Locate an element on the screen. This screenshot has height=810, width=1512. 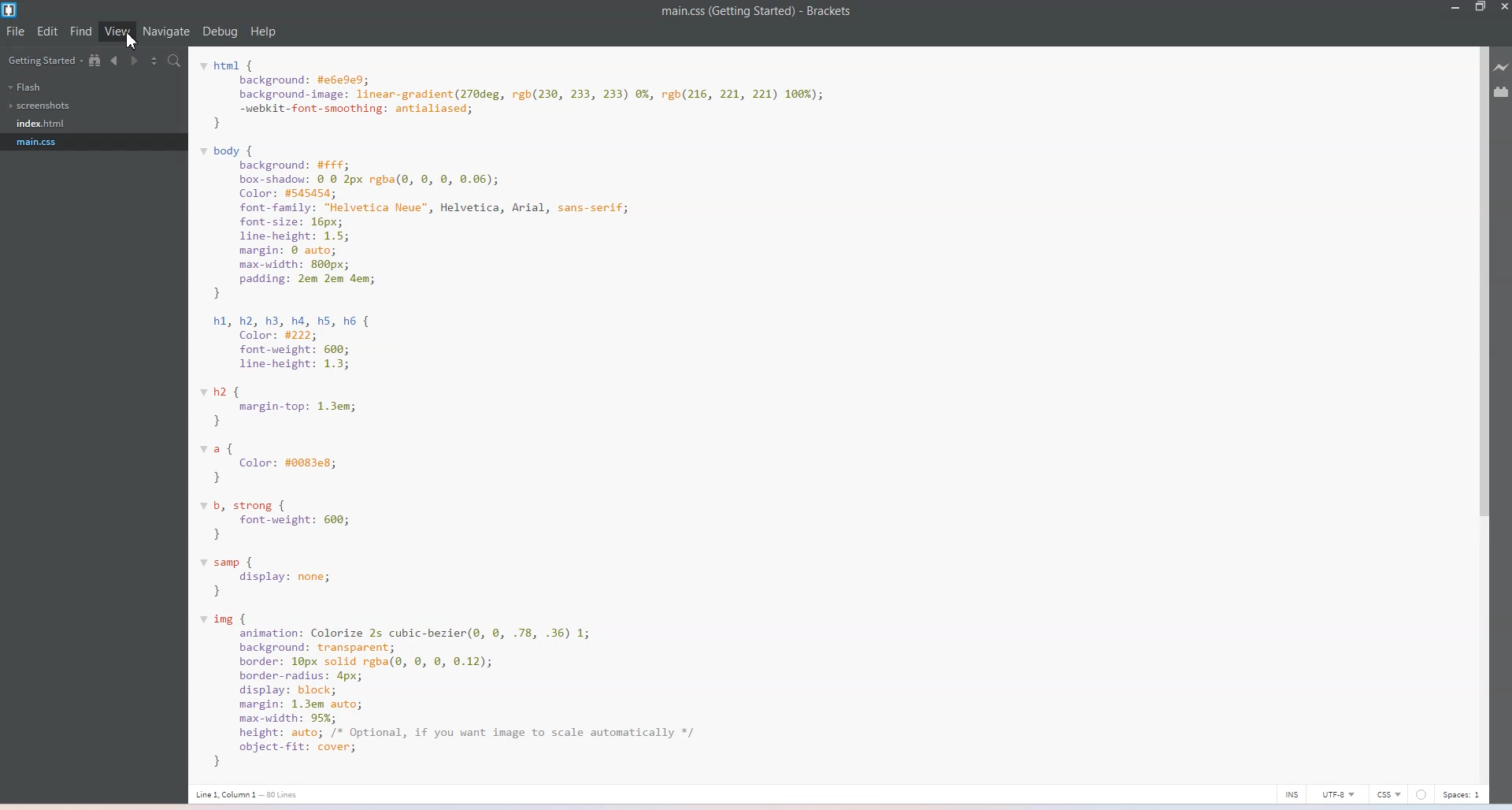
code is located at coordinates (532, 415).